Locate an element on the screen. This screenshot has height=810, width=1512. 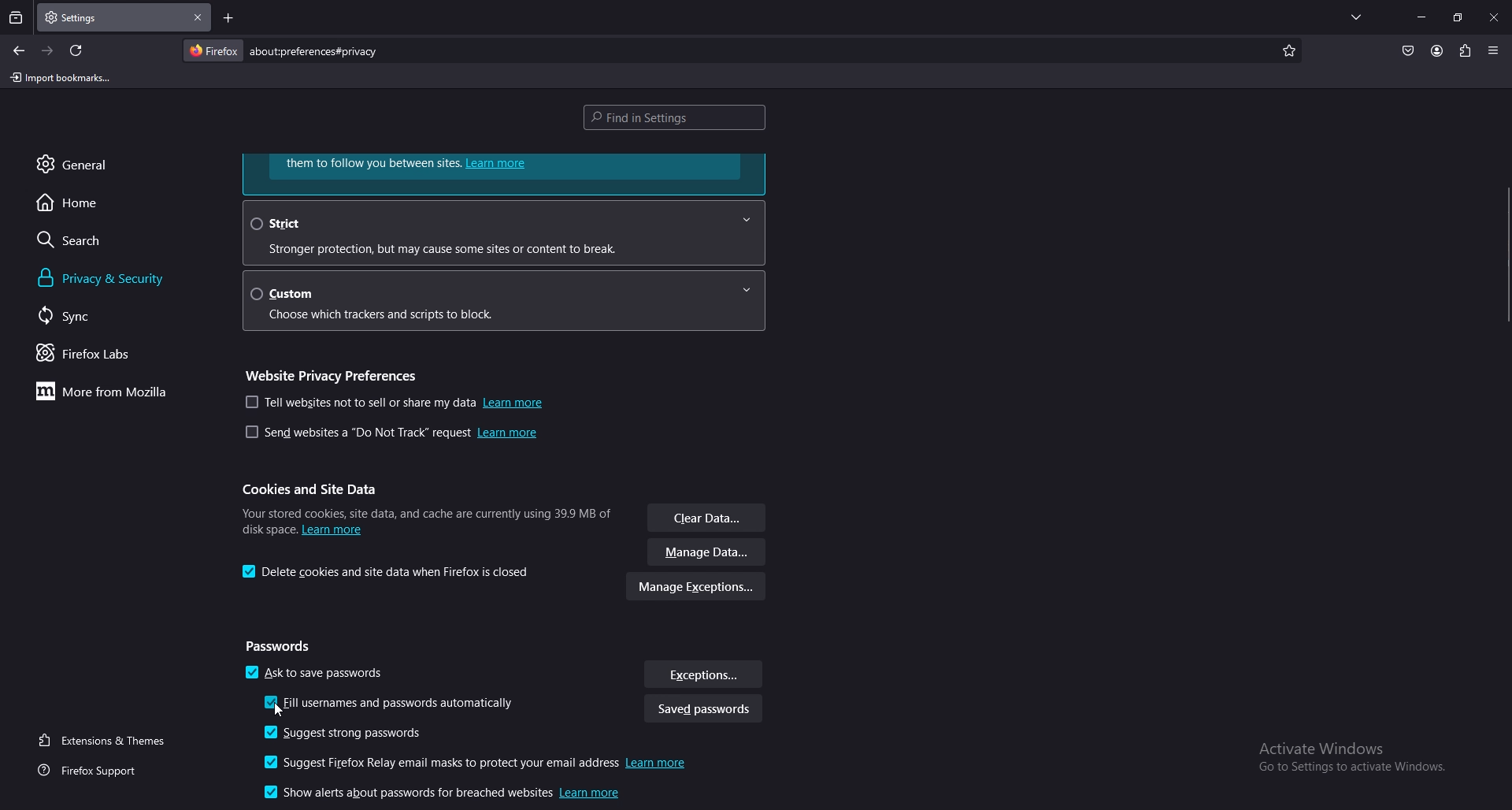
tell websites not to sell my data is located at coordinates (395, 403).